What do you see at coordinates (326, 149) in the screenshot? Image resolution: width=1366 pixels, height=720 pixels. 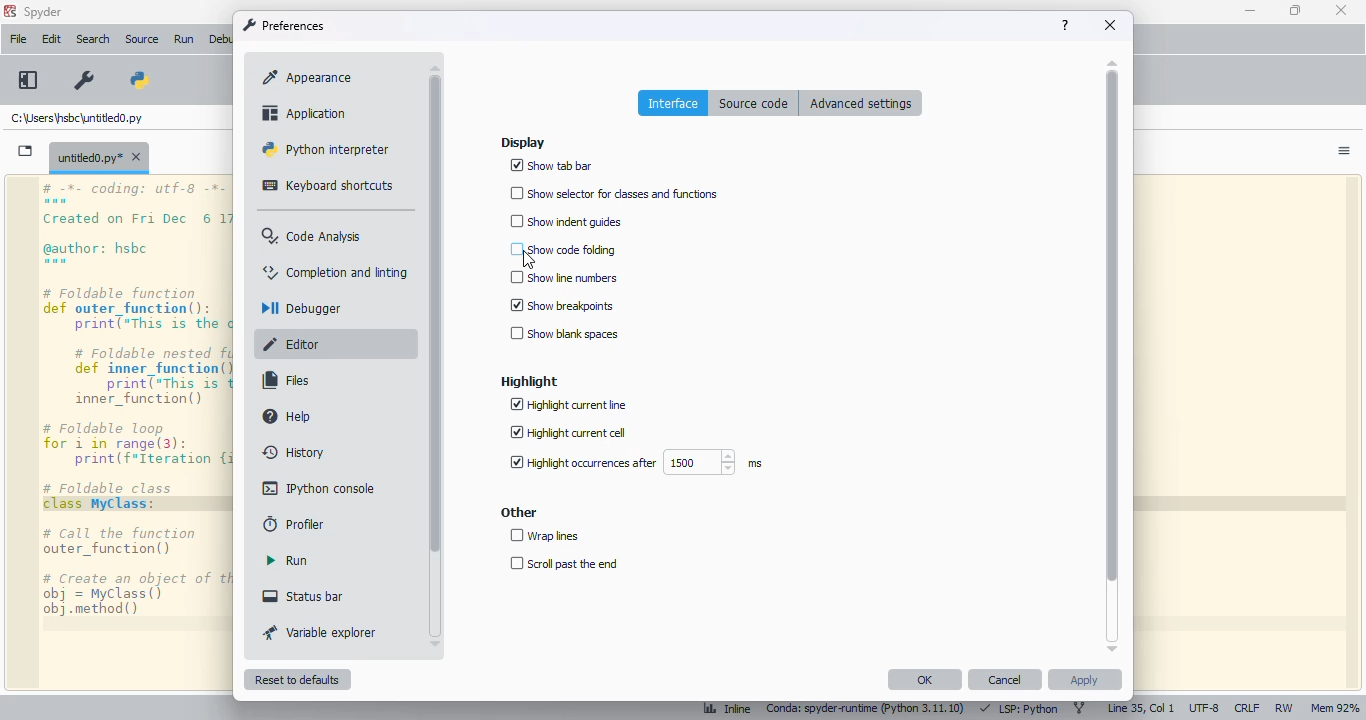 I see `python interpreter` at bounding box center [326, 149].